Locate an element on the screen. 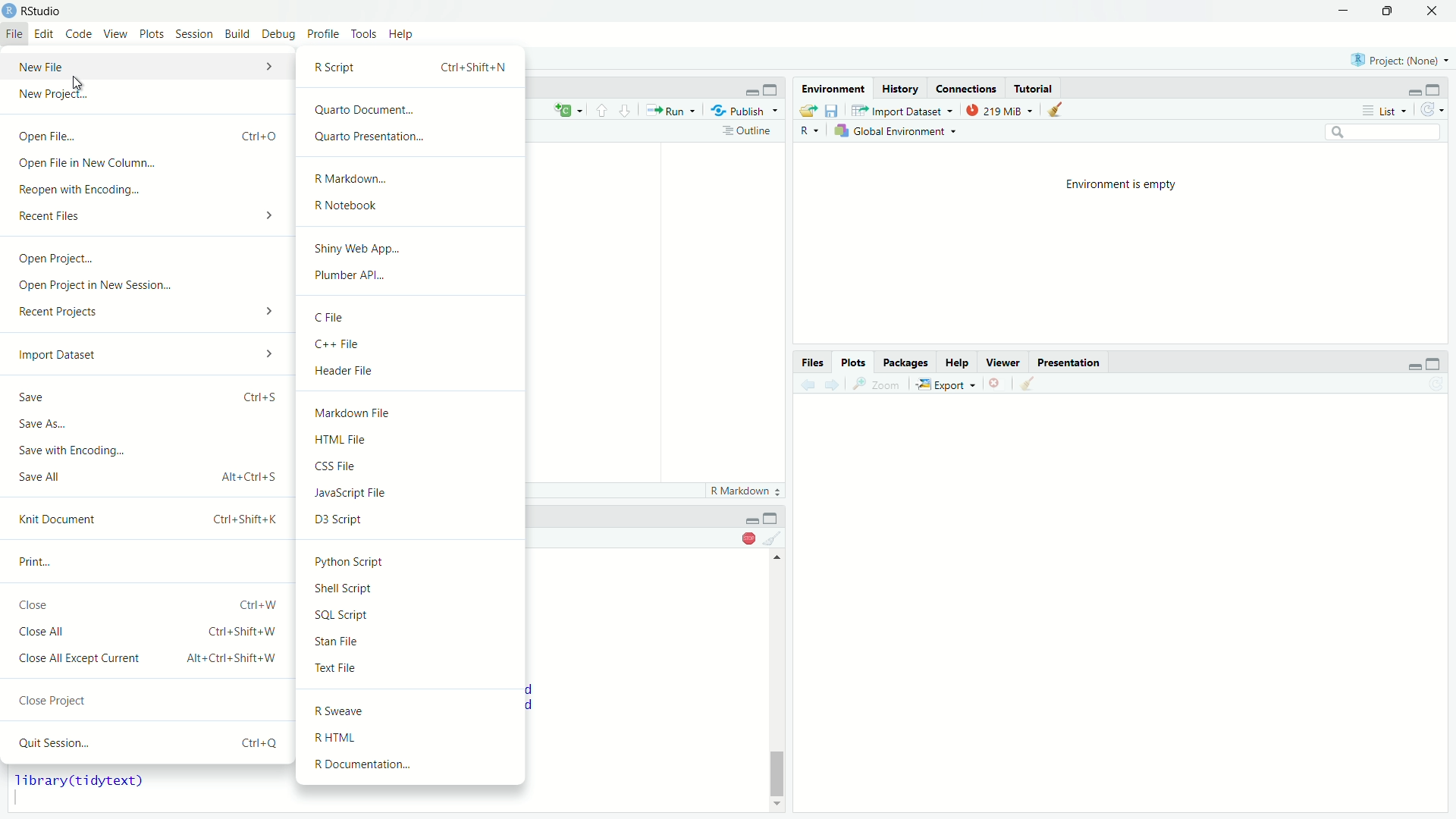 This screenshot has height=819, width=1456. Close is located at coordinates (1430, 11).